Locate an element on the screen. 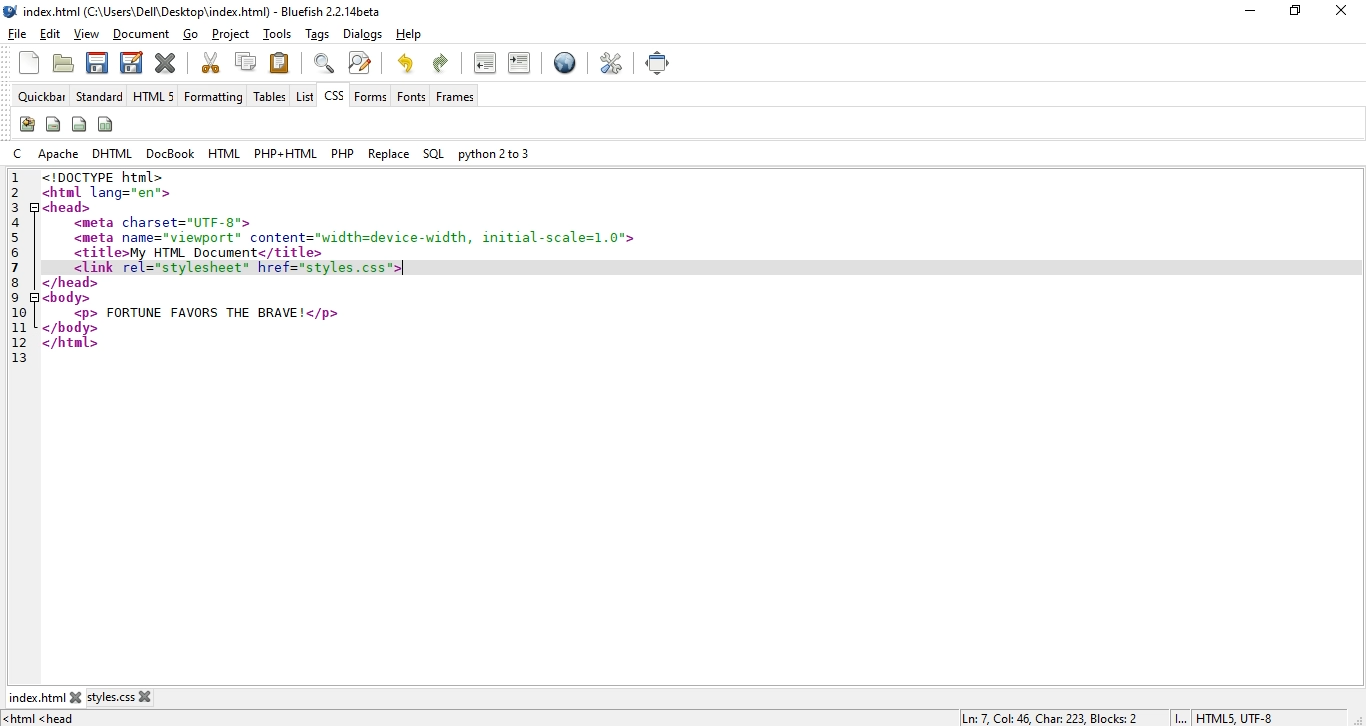 The image size is (1366, 726). help is located at coordinates (408, 35).